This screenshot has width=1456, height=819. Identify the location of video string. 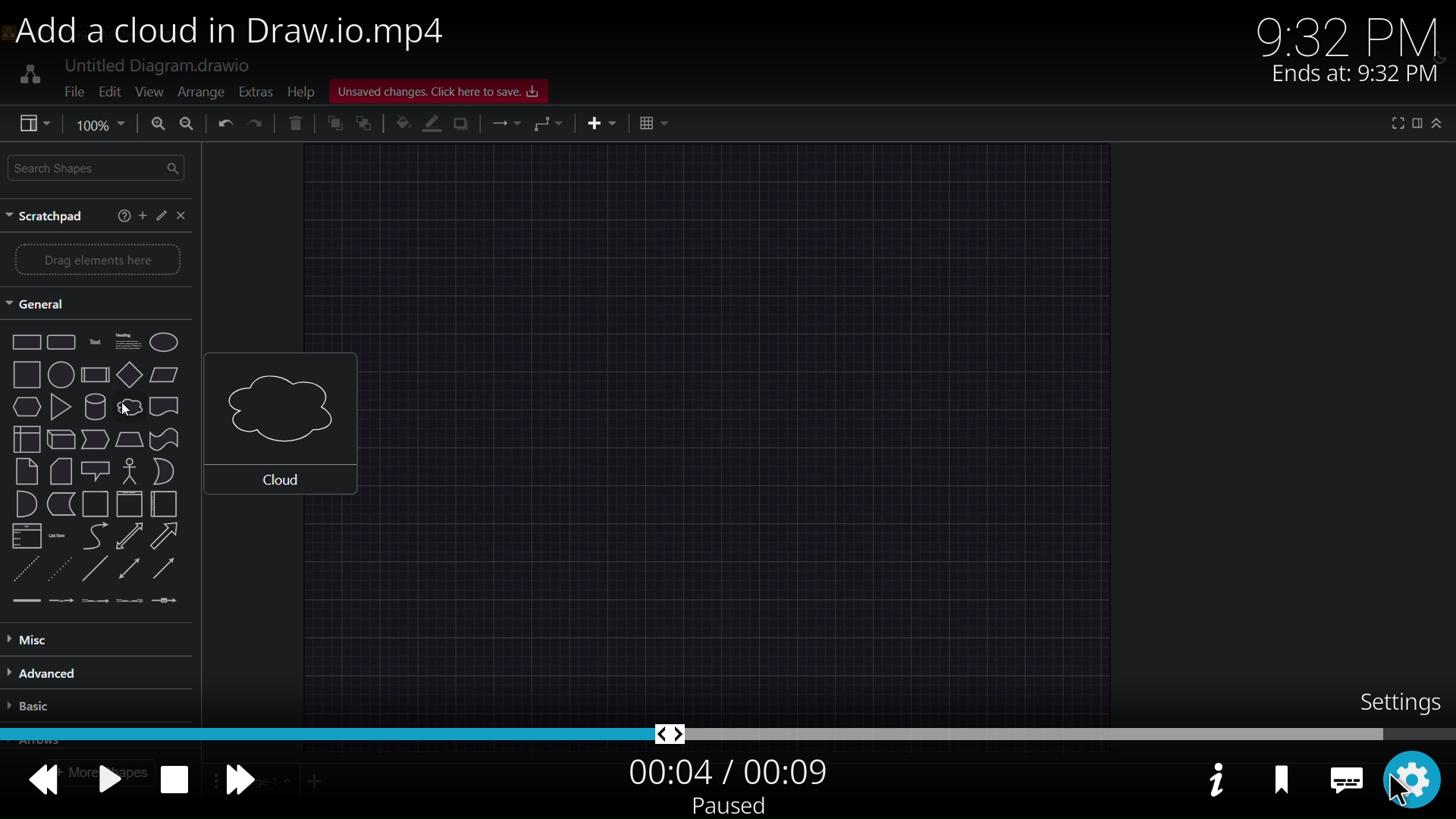
(725, 732).